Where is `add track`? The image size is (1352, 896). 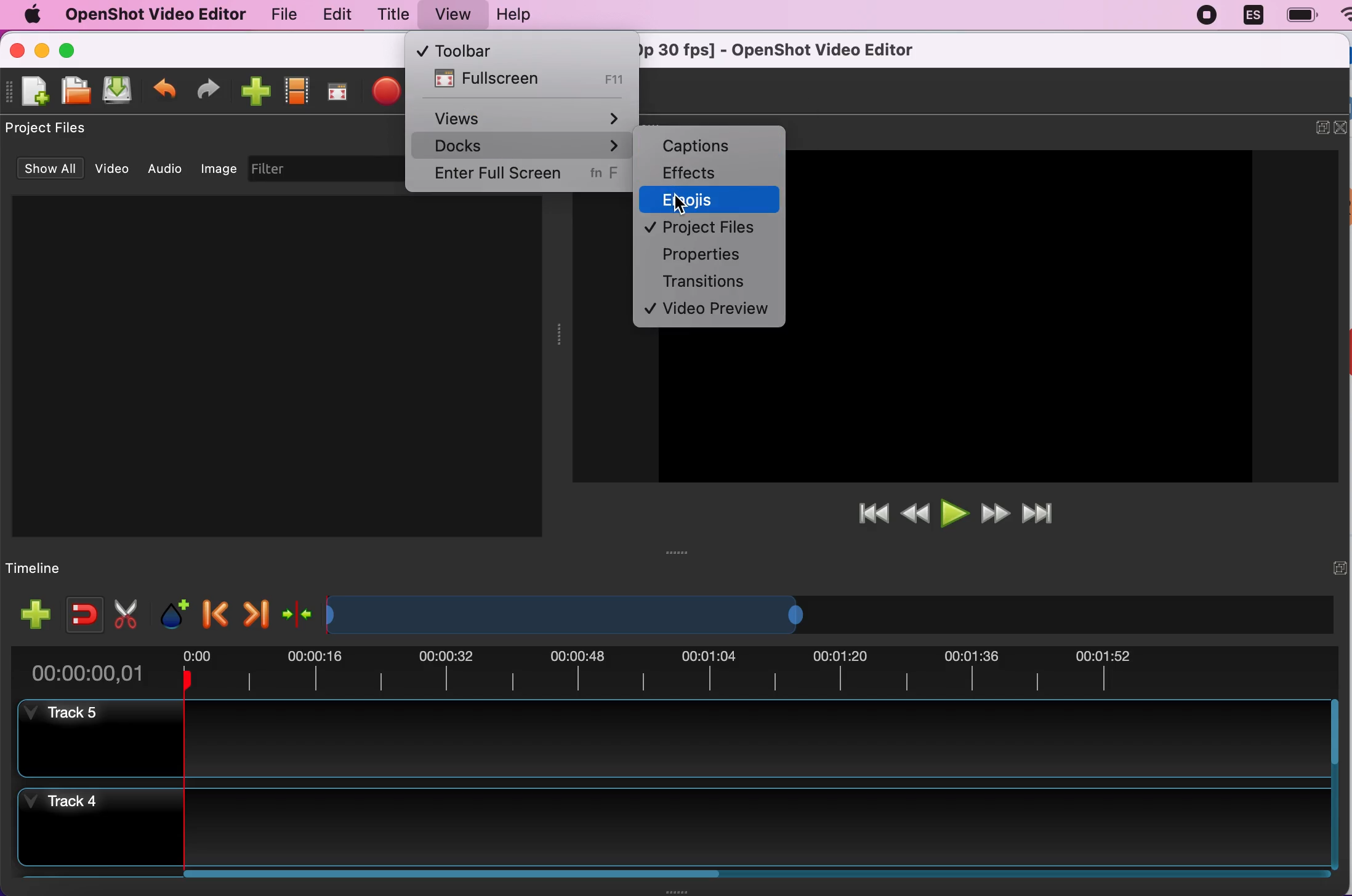
add track is located at coordinates (36, 614).